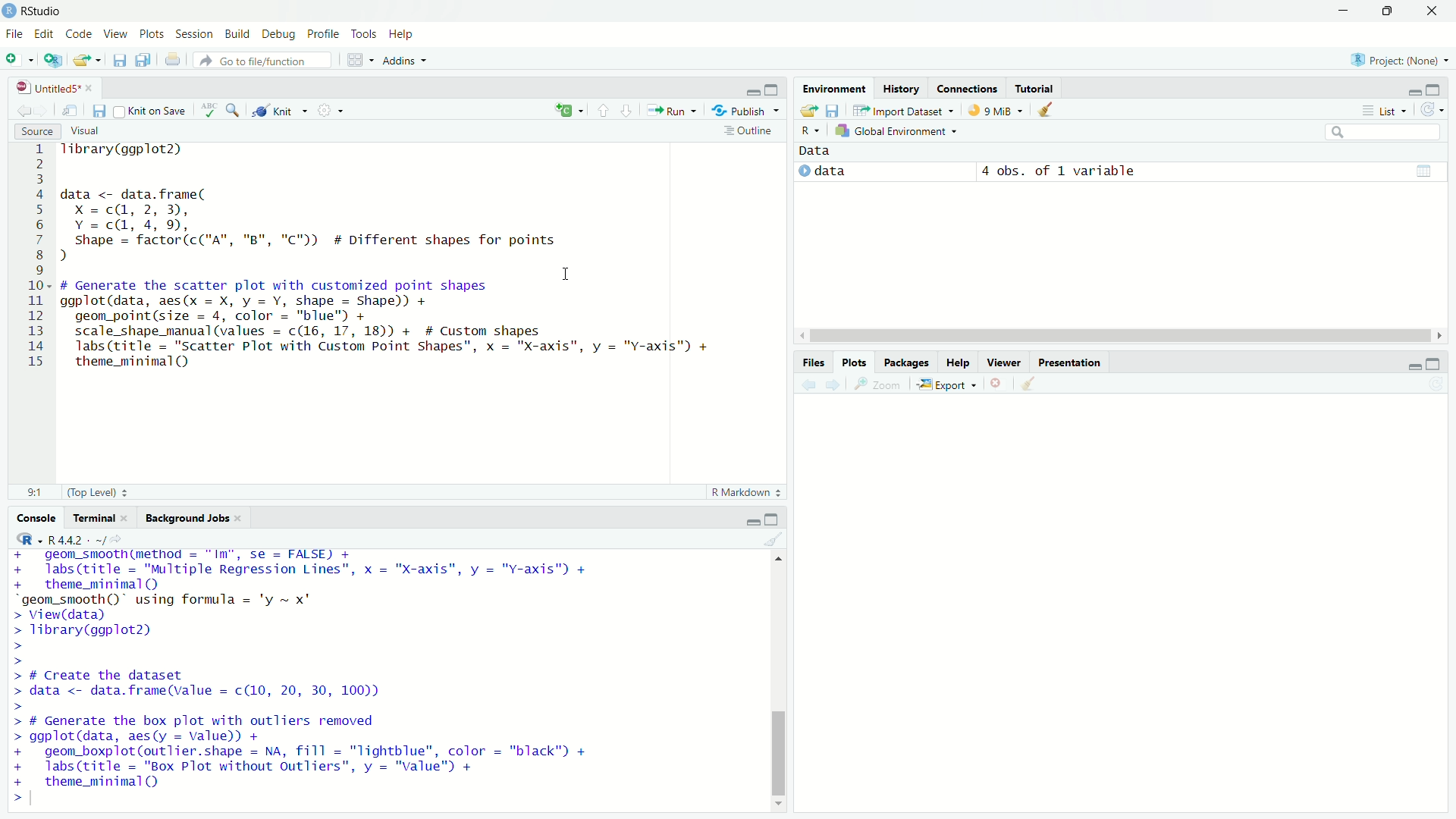  What do you see at coordinates (209, 109) in the screenshot?
I see `Check spelling in the document` at bounding box center [209, 109].